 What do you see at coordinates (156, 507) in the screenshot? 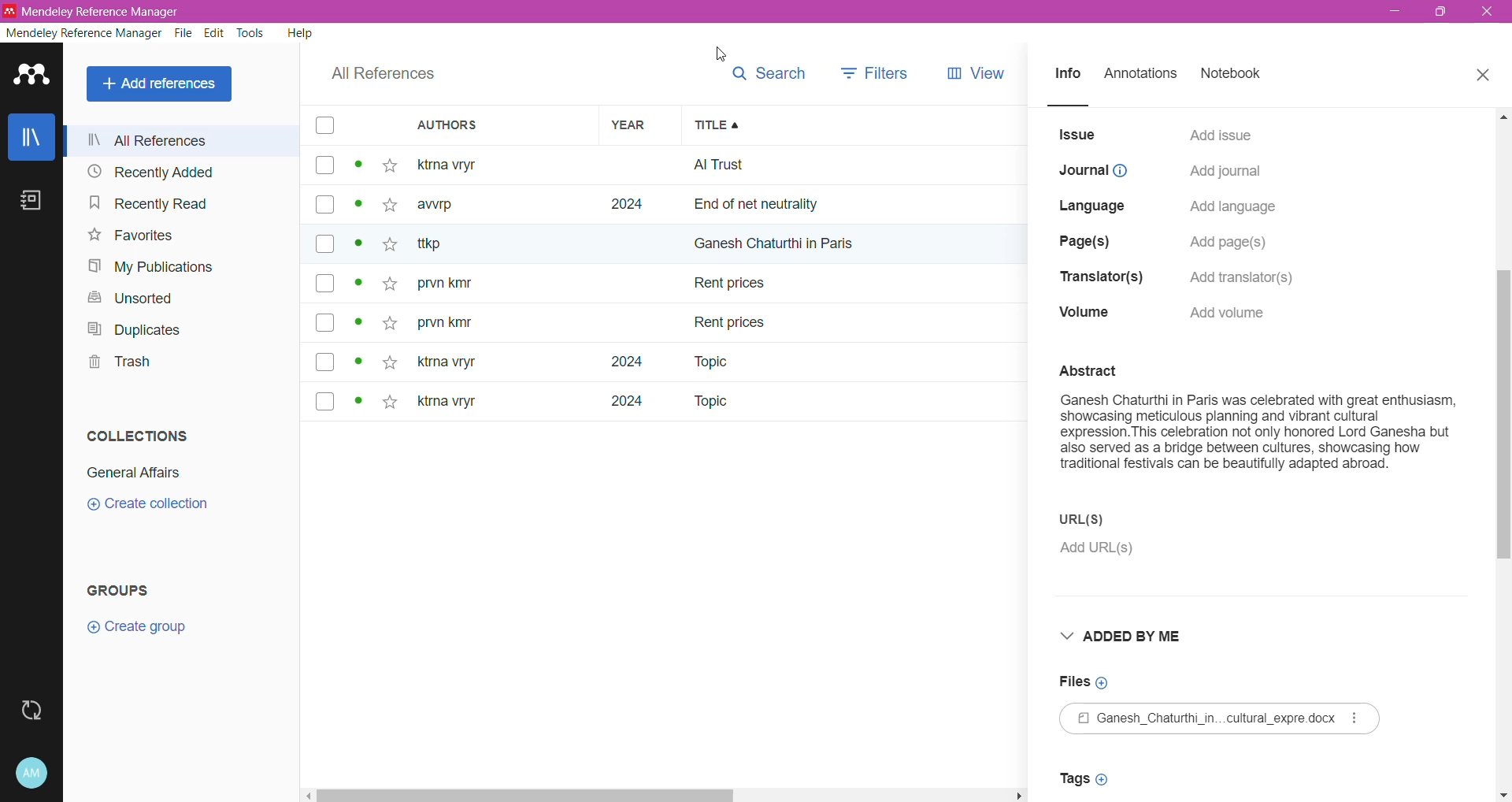
I see `Click to Create Collection` at bounding box center [156, 507].